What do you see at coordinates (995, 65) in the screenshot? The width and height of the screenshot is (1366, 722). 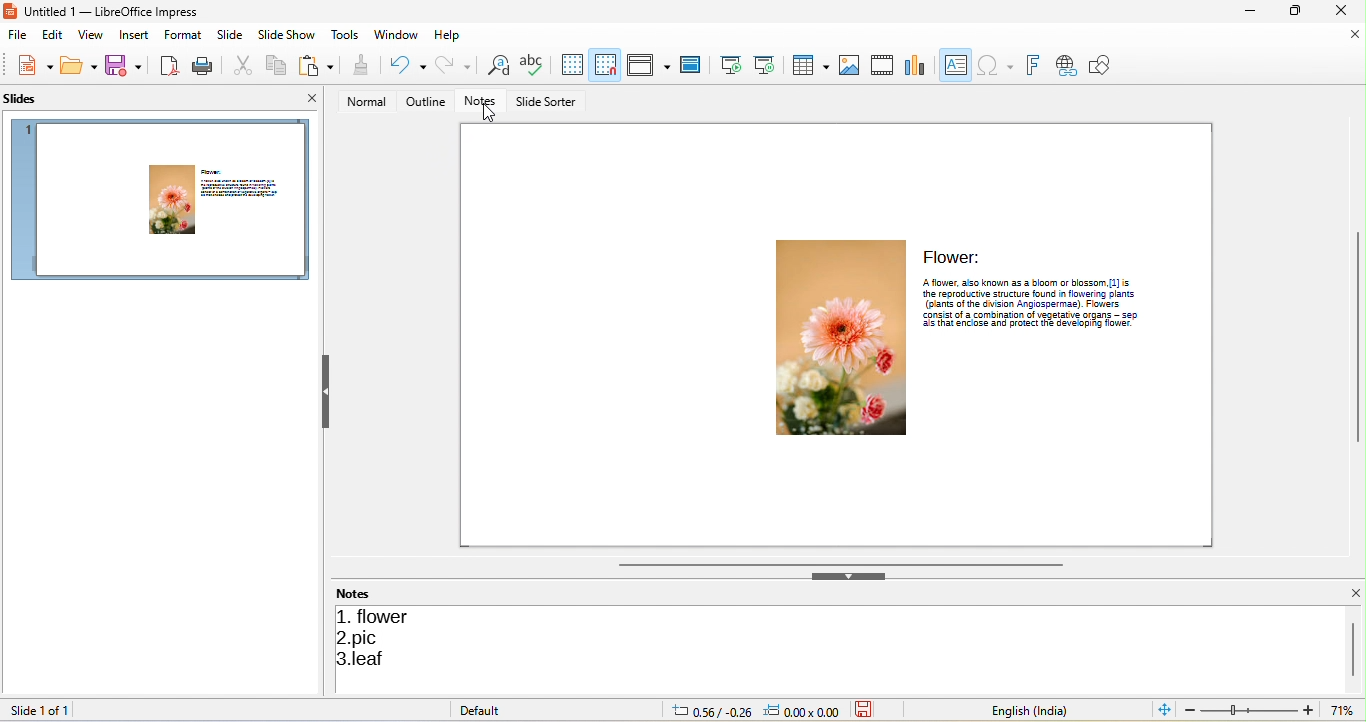 I see `special  character` at bounding box center [995, 65].